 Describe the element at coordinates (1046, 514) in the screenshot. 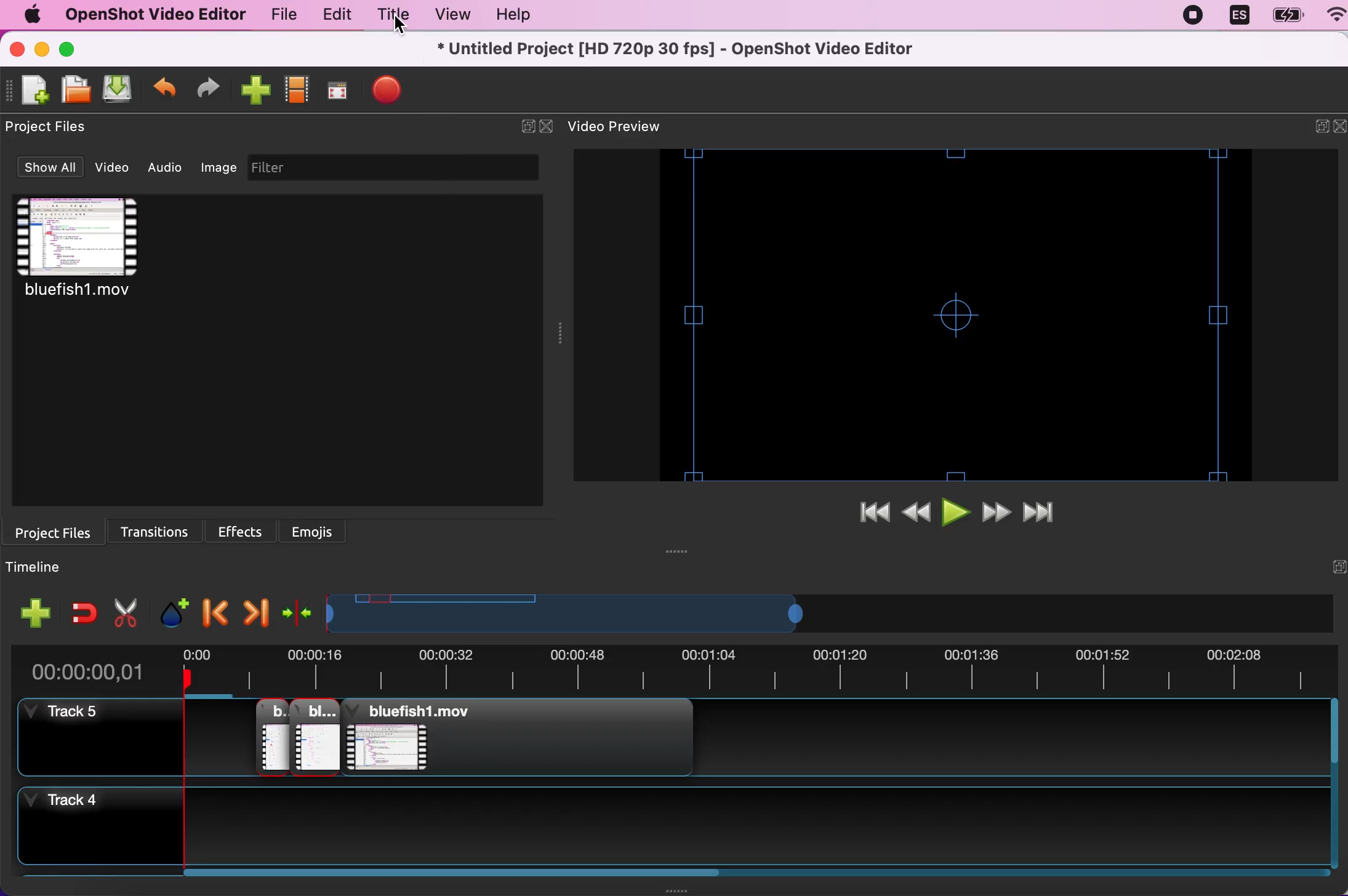

I see `jump to end` at that location.